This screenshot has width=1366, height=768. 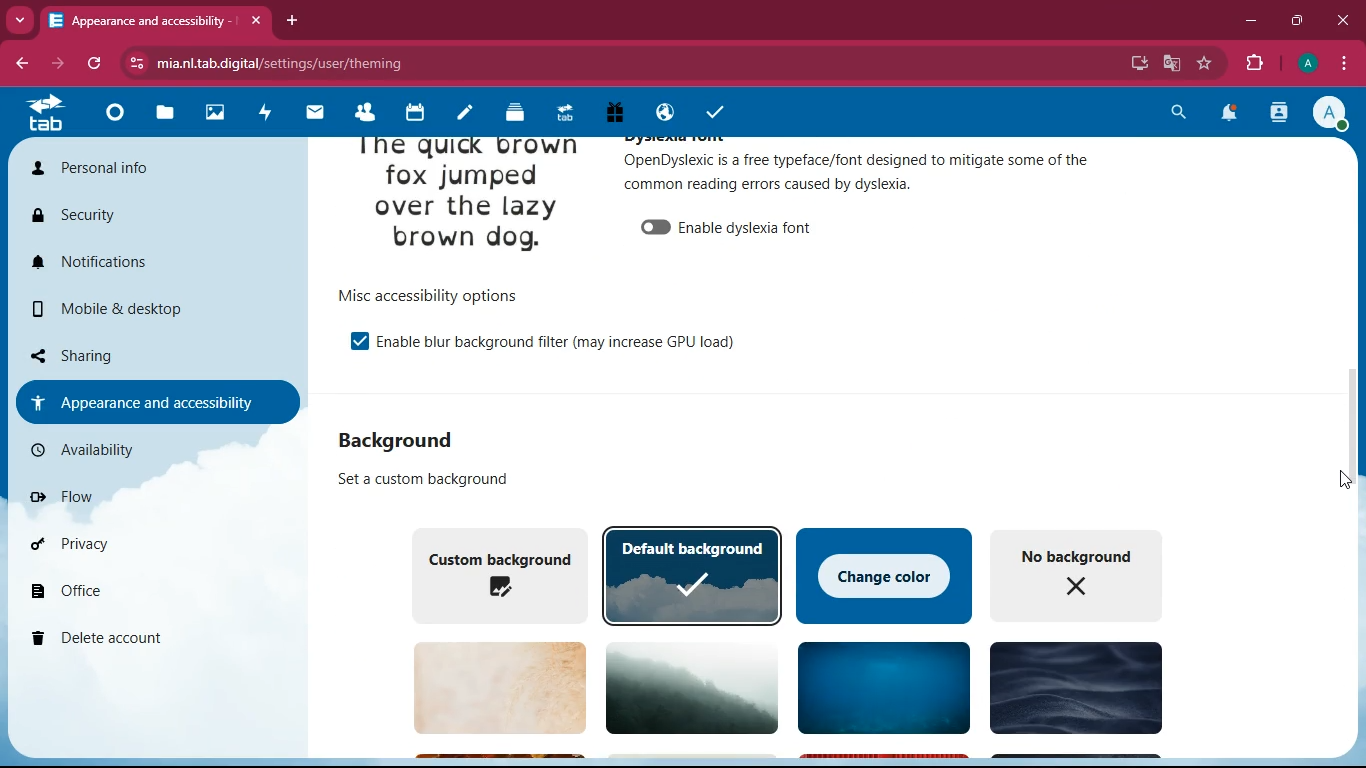 What do you see at coordinates (508, 113) in the screenshot?
I see `layers` at bounding box center [508, 113].